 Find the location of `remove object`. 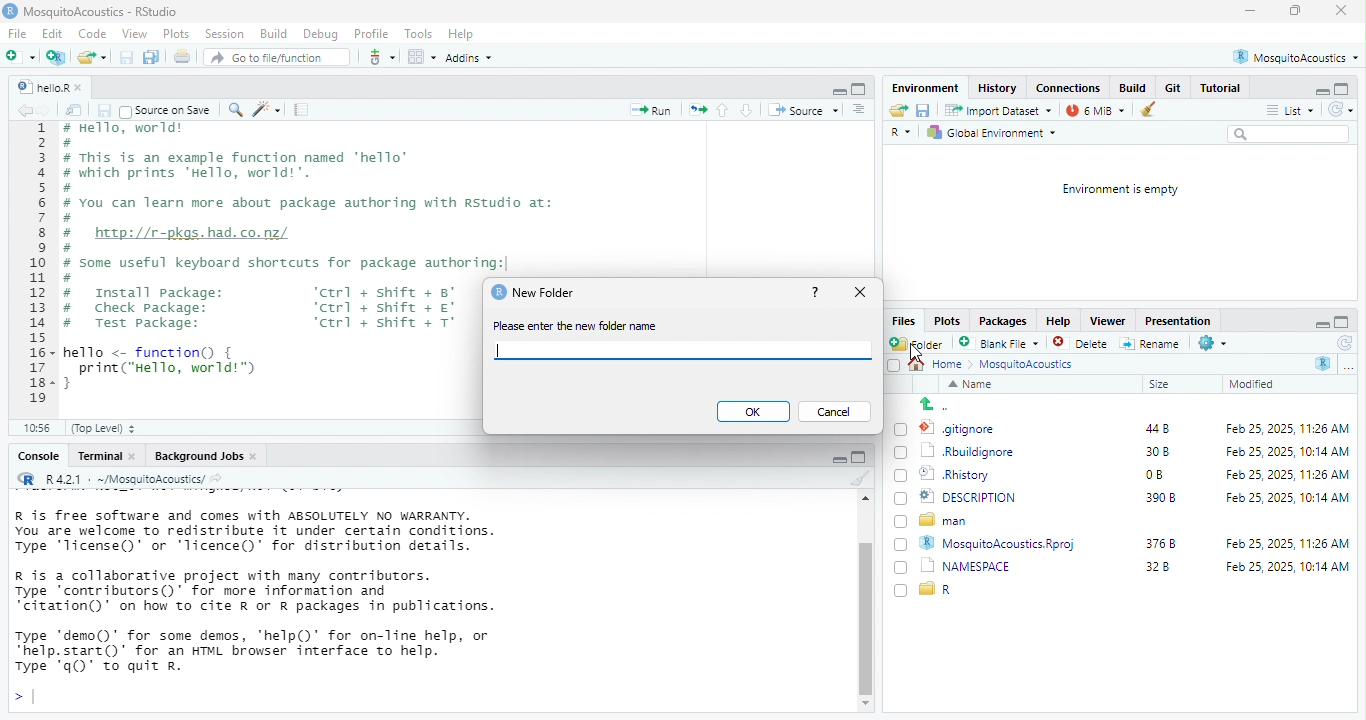

remove object is located at coordinates (1156, 110).